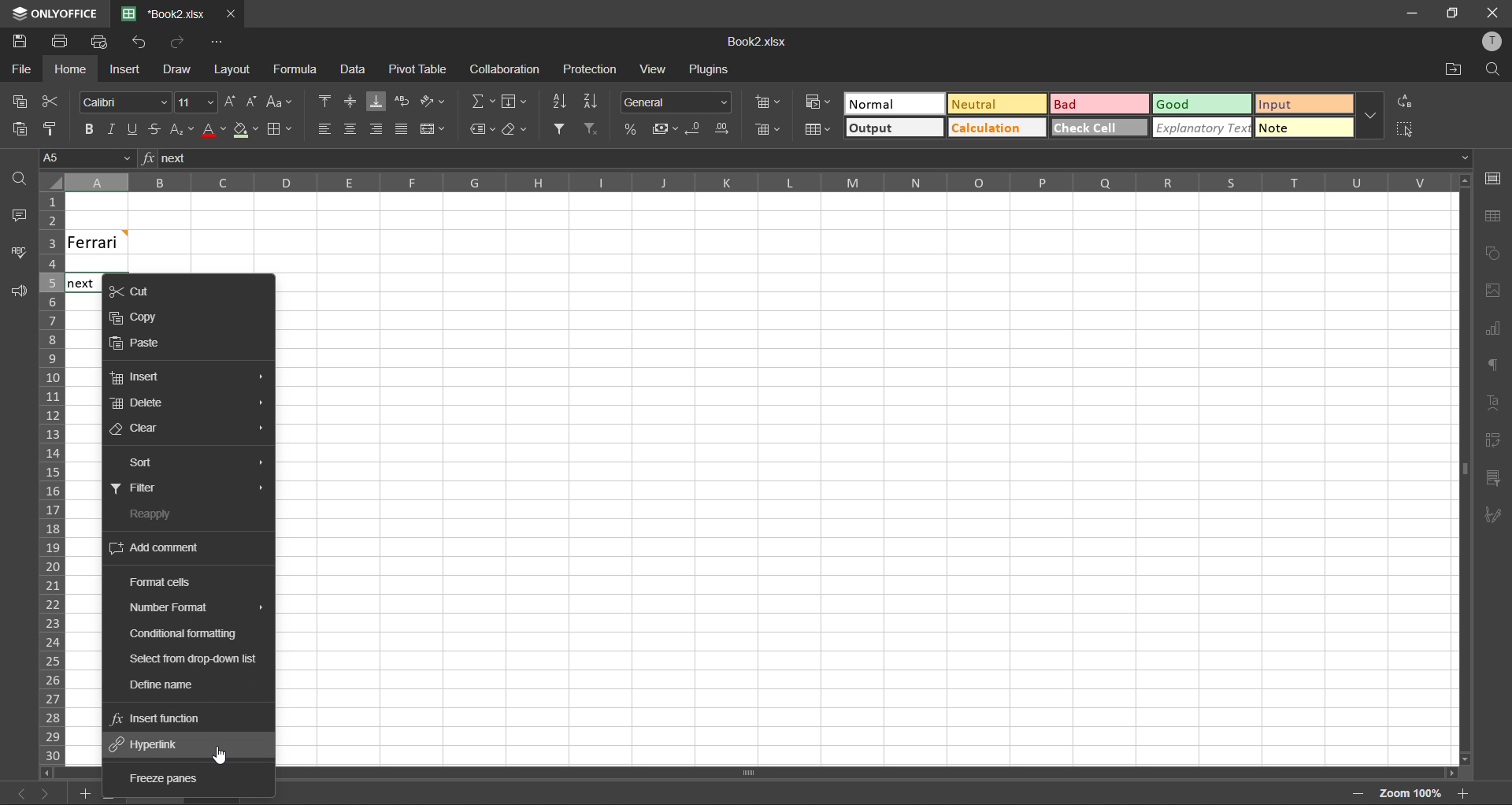 Image resolution: width=1512 pixels, height=805 pixels. What do you see at coordinates (380, 102) in the screenshot?
I see `align bottom` at bounding box center [380, 102].